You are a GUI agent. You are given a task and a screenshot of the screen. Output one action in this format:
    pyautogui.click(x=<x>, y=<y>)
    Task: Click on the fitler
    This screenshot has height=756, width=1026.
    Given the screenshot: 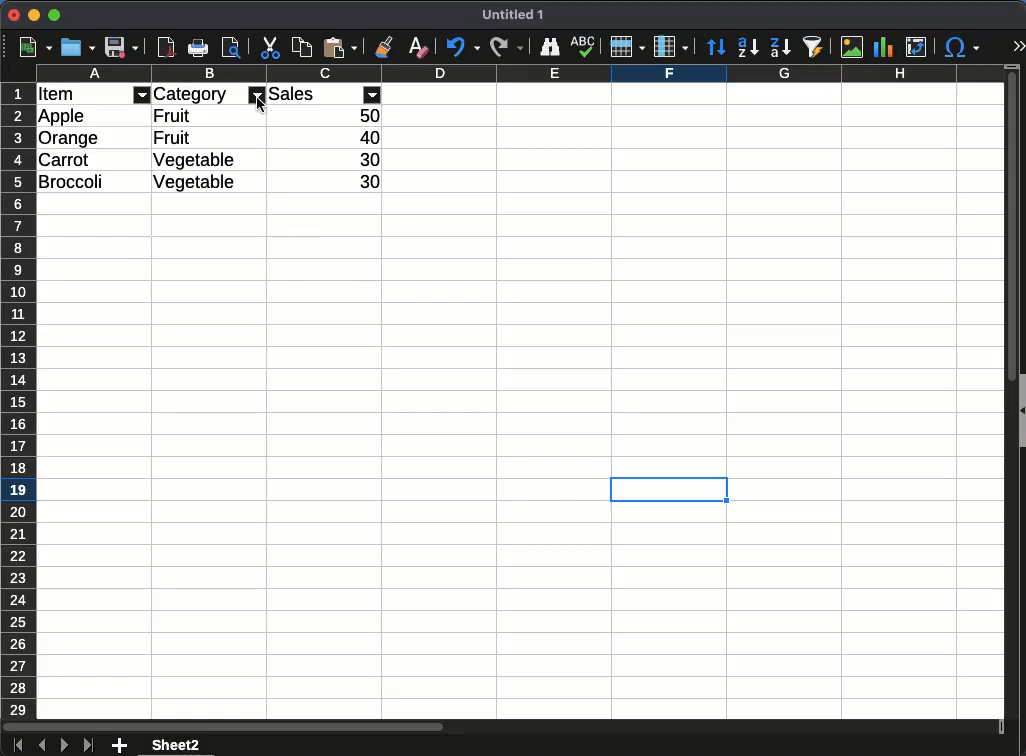 What is the action you would take?
    pyautogui.click(x=144, y=94)
    